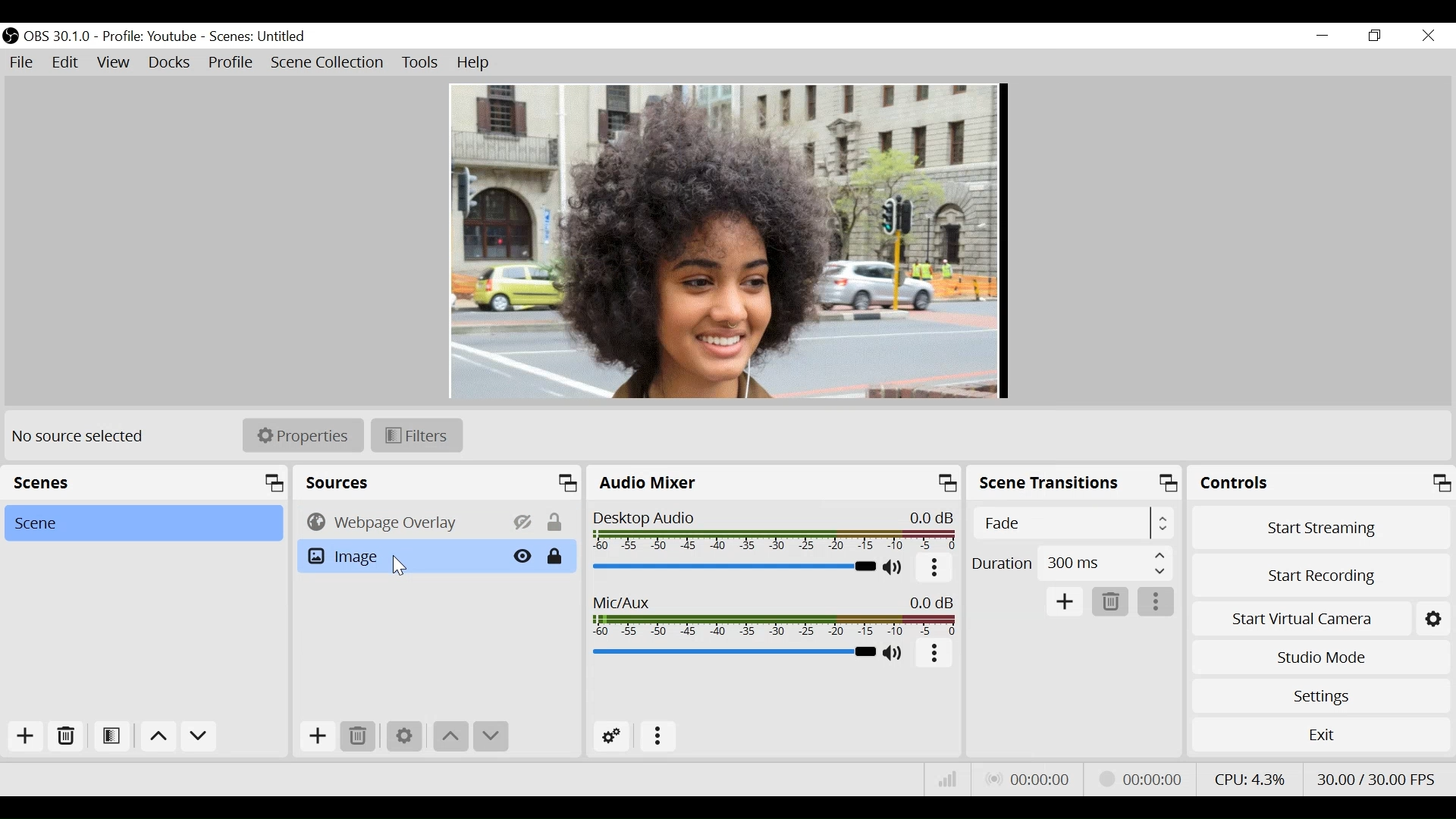  Describe the element at coordinates (1065, 602) in the screenshot. I see `Add ` at that location.